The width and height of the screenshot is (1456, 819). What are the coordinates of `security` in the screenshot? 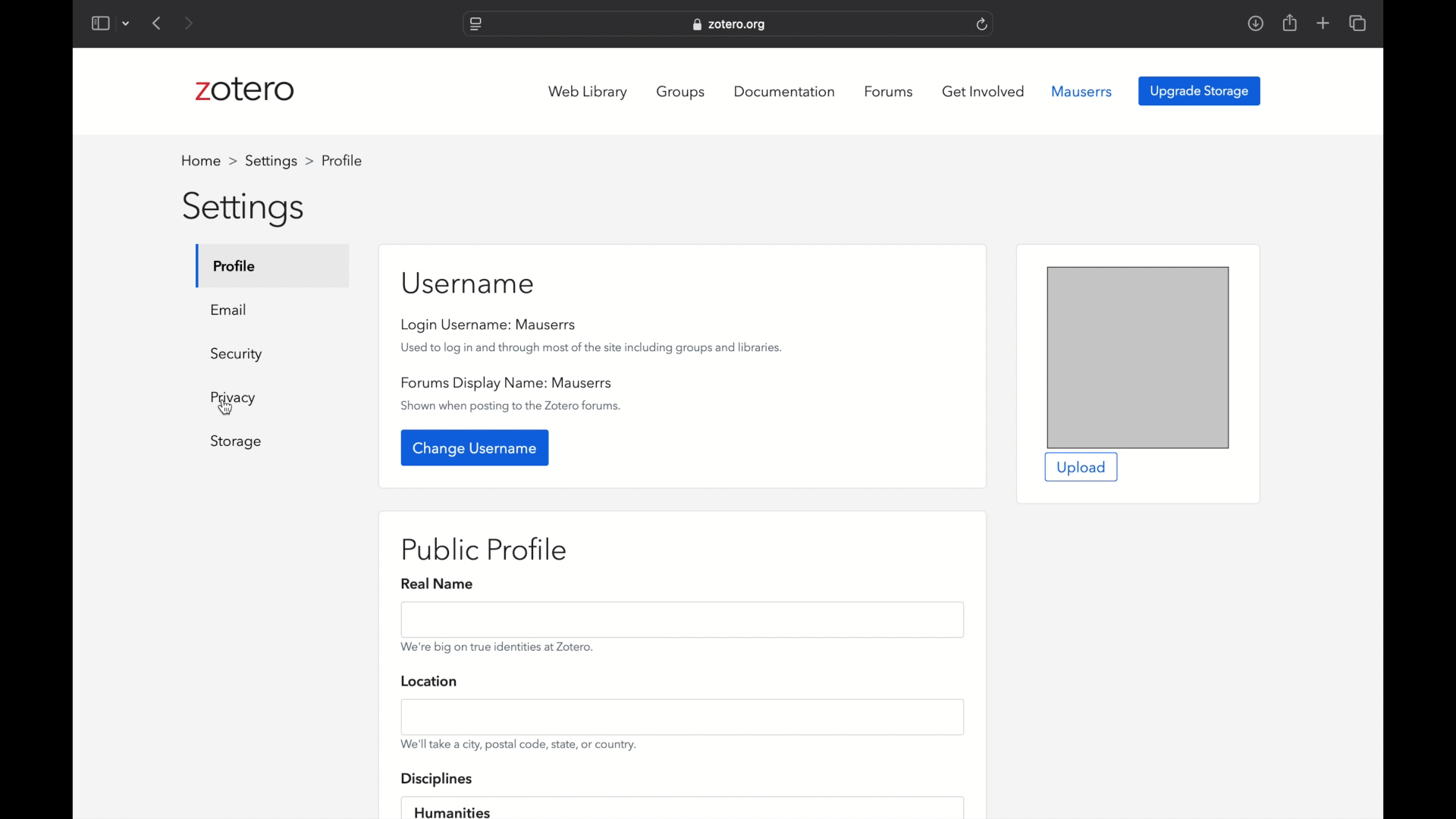 It's located at (237, 354).